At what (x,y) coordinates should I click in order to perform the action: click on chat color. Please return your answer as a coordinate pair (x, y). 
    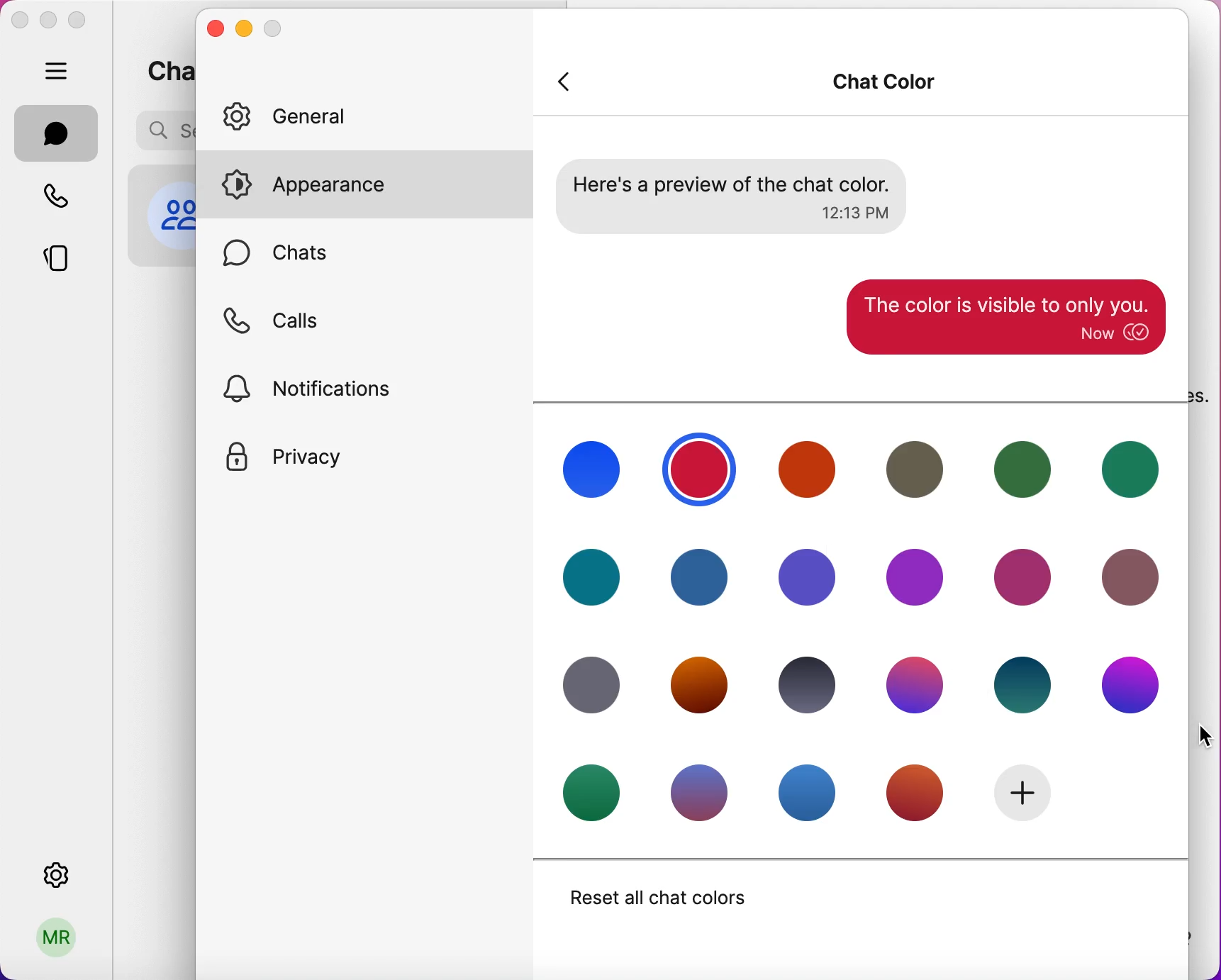
    Looking at the image, I should click on (593, 468).